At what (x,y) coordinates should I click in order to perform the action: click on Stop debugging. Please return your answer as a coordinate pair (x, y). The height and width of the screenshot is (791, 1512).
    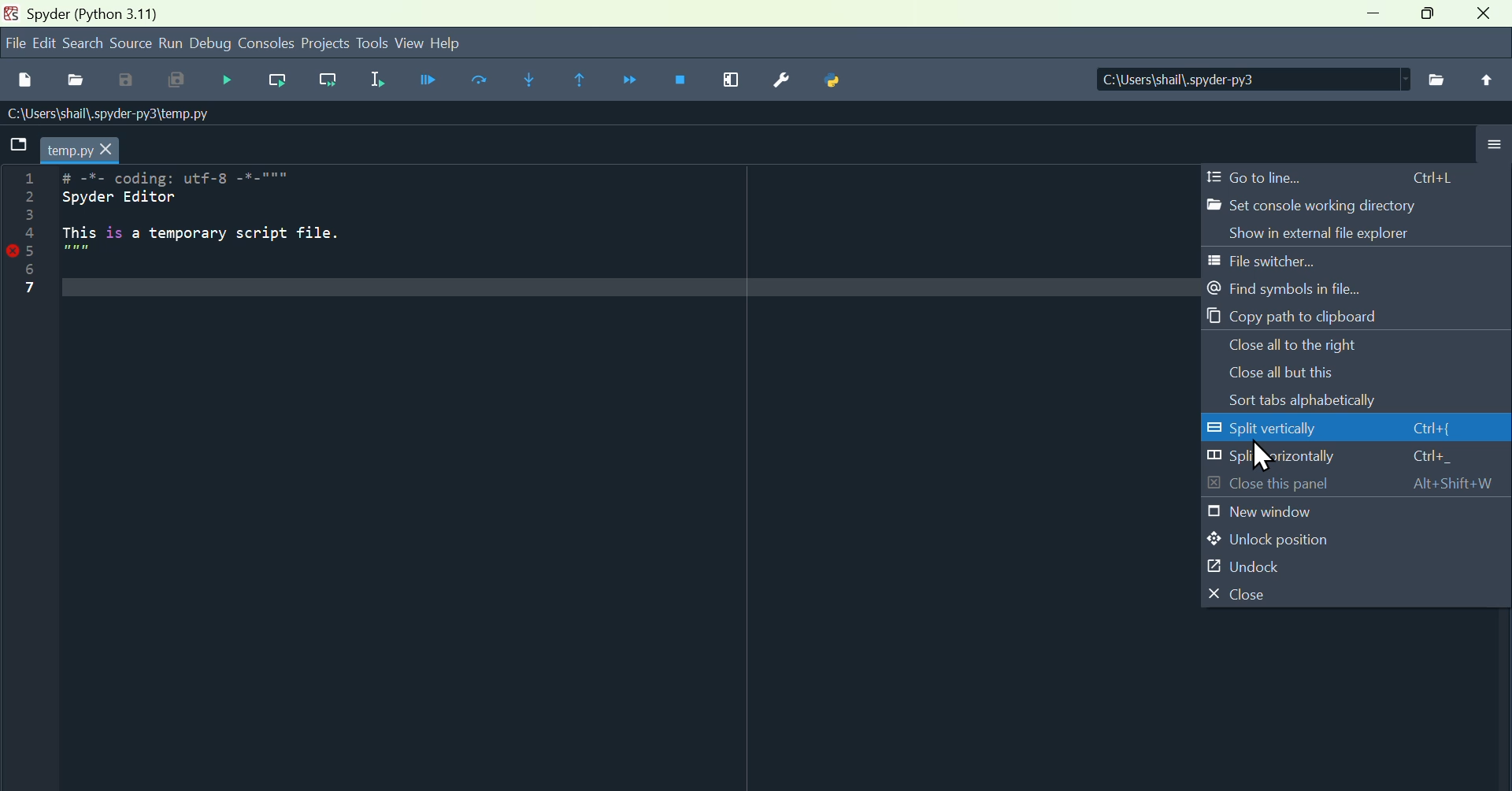
    Looking at the image, I should click on (685, 84).